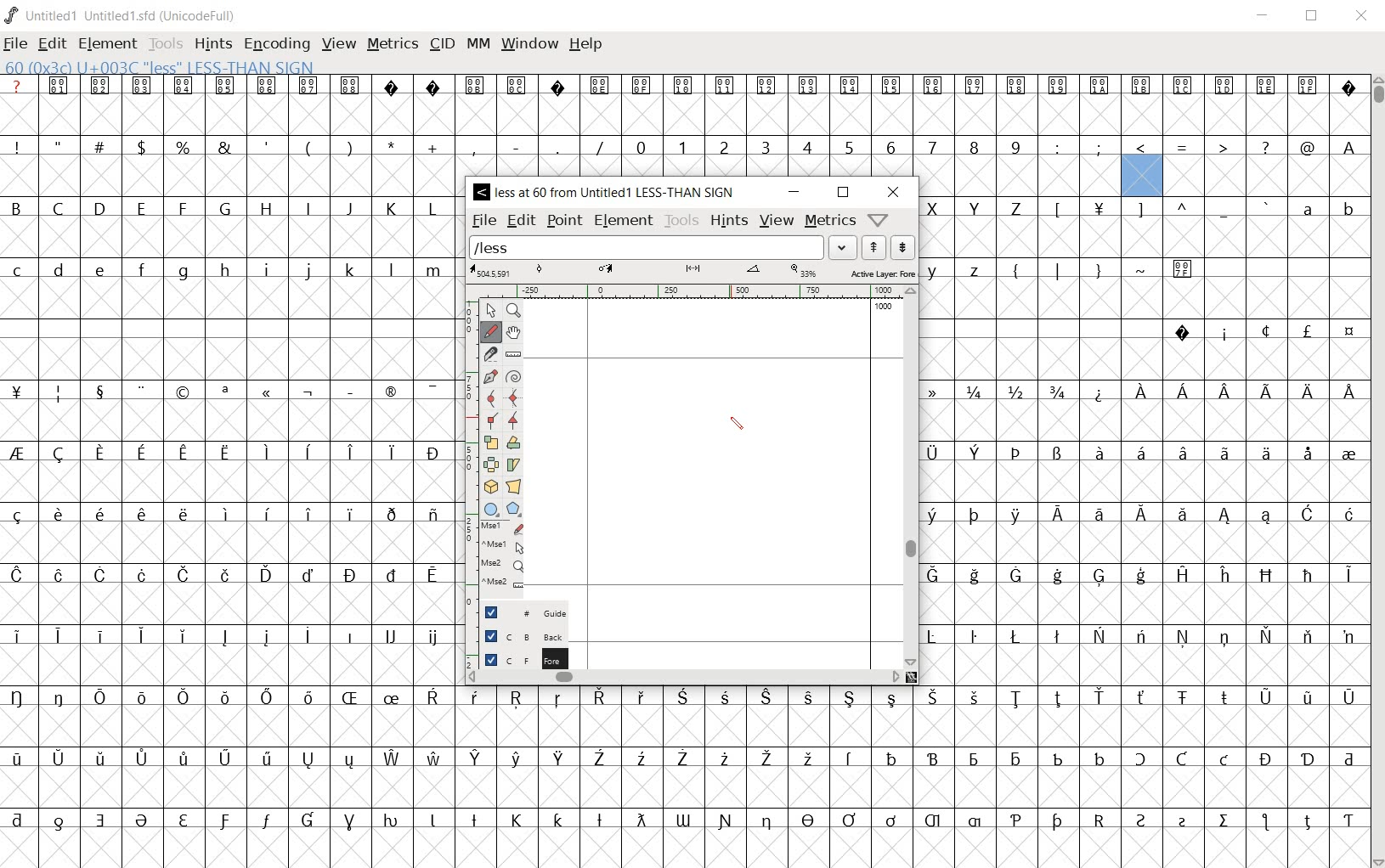 The image size is (1385, 868). What do you see at coordinates (689, 757) in the screenshot?
I see `special letters` at bounding box center [689, 757].